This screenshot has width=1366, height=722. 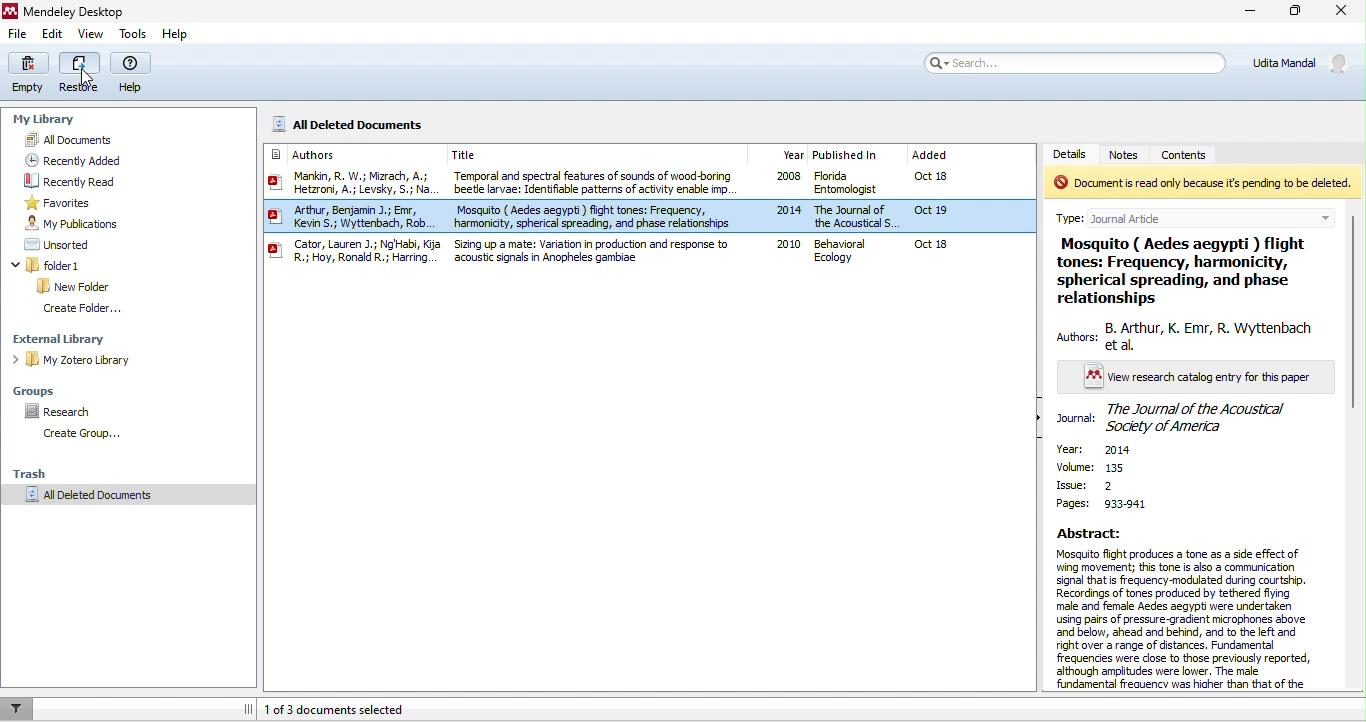 What do you see at coordinates (1343, 10) in the screenshot?
I see `close` at bounding box center [1343, 10].